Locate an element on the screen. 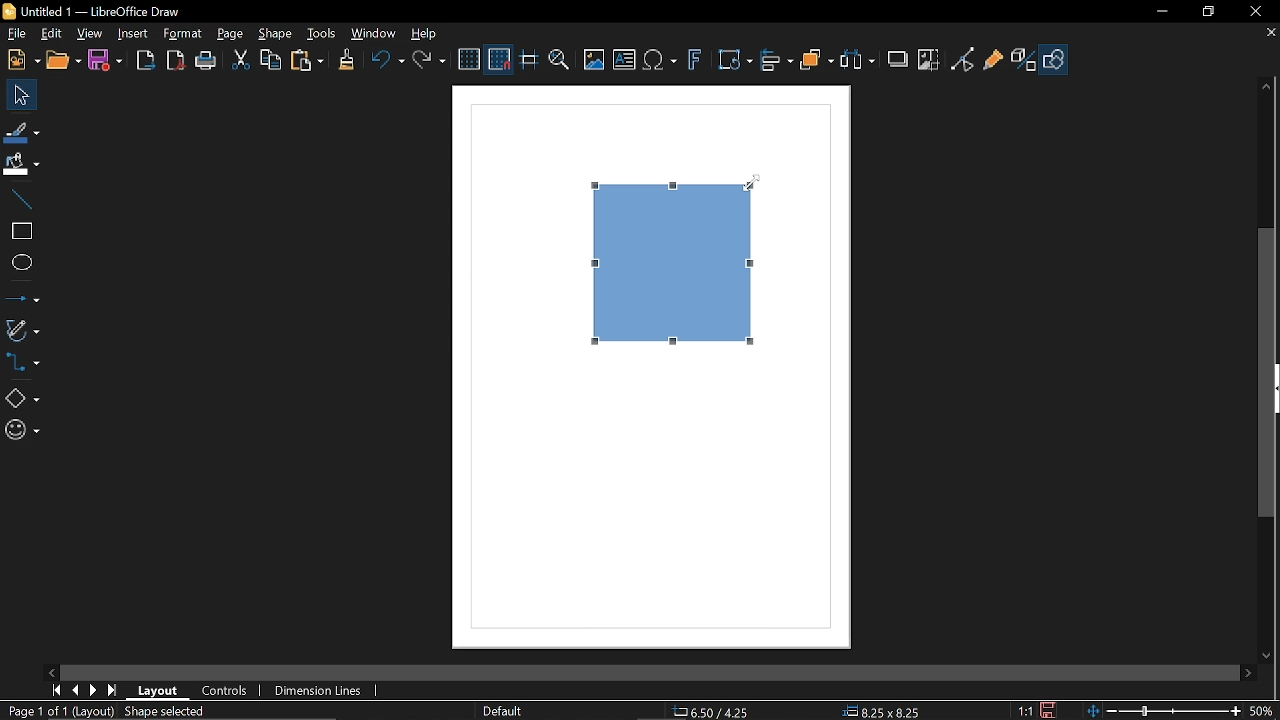  Move right is located at coordinates (1248, 672).